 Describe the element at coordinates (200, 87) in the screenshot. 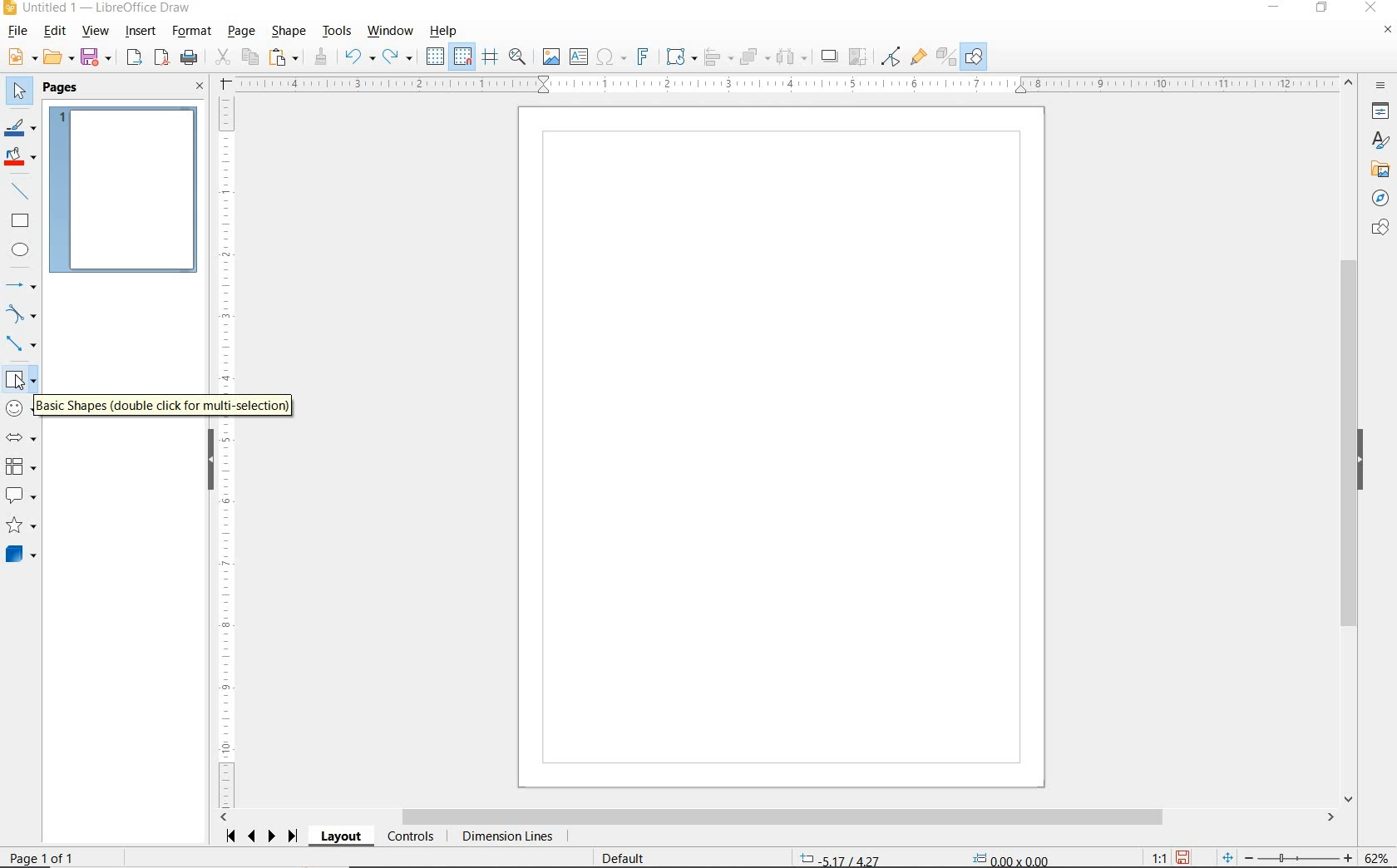

I see `CLOSE` at that location.